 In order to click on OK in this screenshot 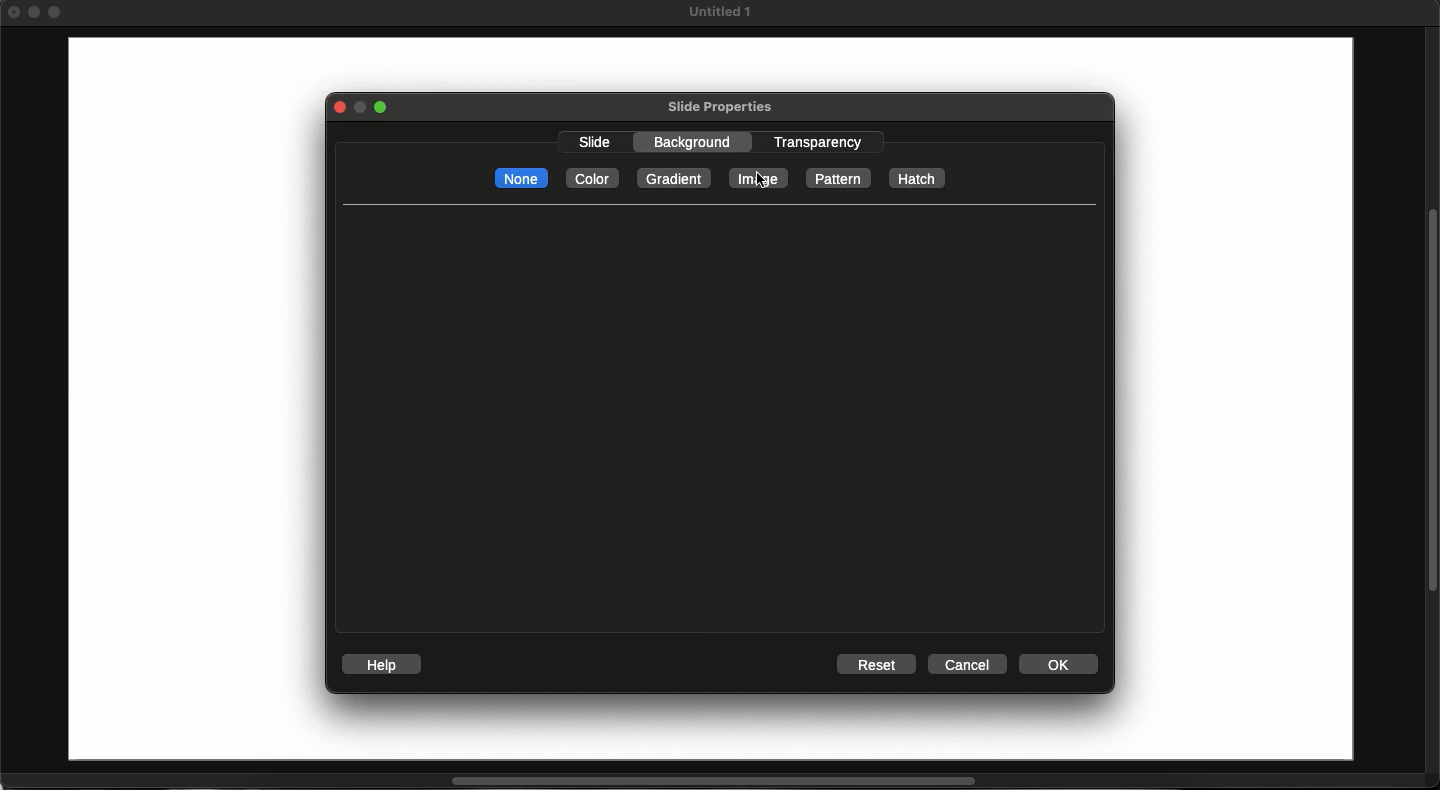, I will do `click(1060, 663)`.